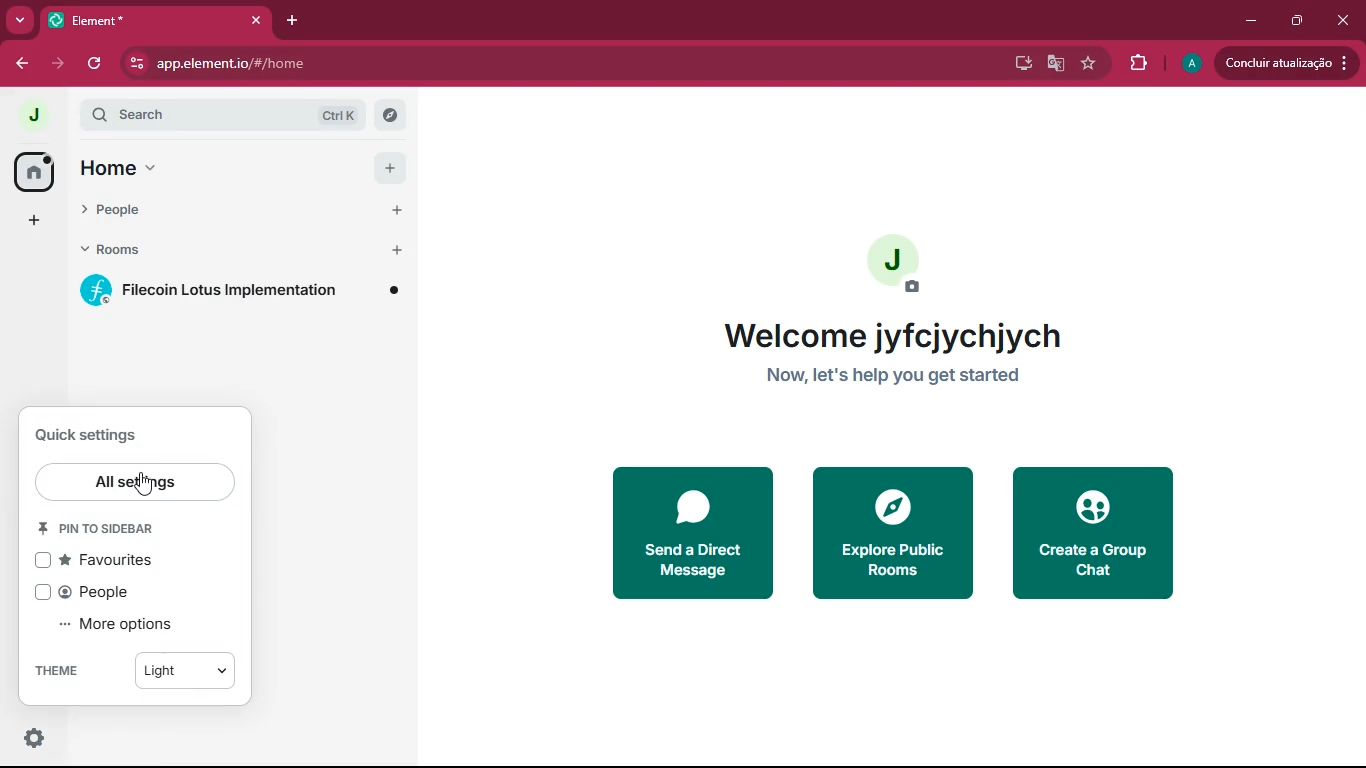 This screenshot has width=1366, height=768. What do you see at coordinates (34, 171) in the screenshot?
I see `home` at bounding box center [34, 171].